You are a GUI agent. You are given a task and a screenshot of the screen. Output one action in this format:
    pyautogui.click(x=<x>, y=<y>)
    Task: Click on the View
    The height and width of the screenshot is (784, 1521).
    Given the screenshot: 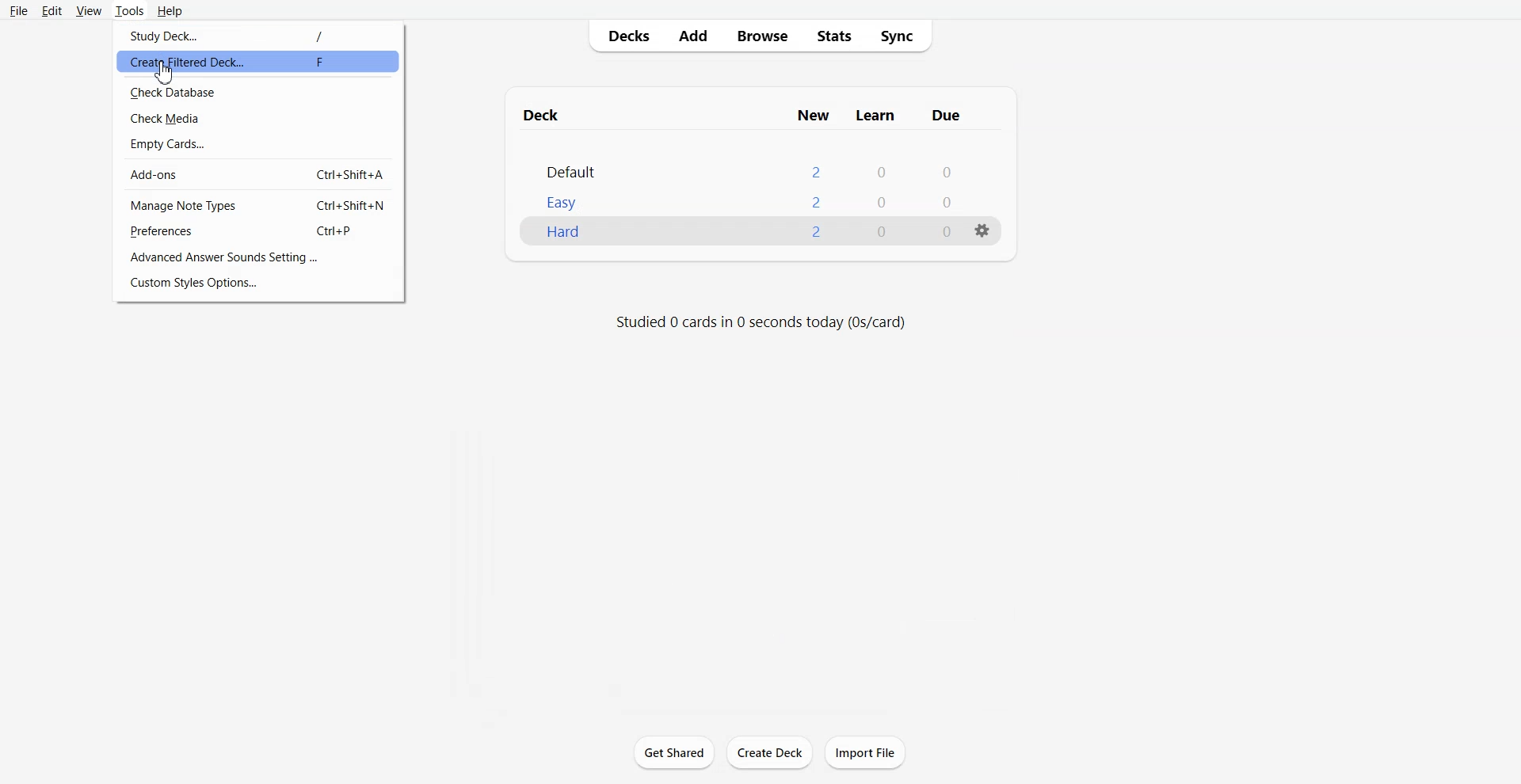 What is the action you would take?
    pyautogui.click(x=89, y=10)
    